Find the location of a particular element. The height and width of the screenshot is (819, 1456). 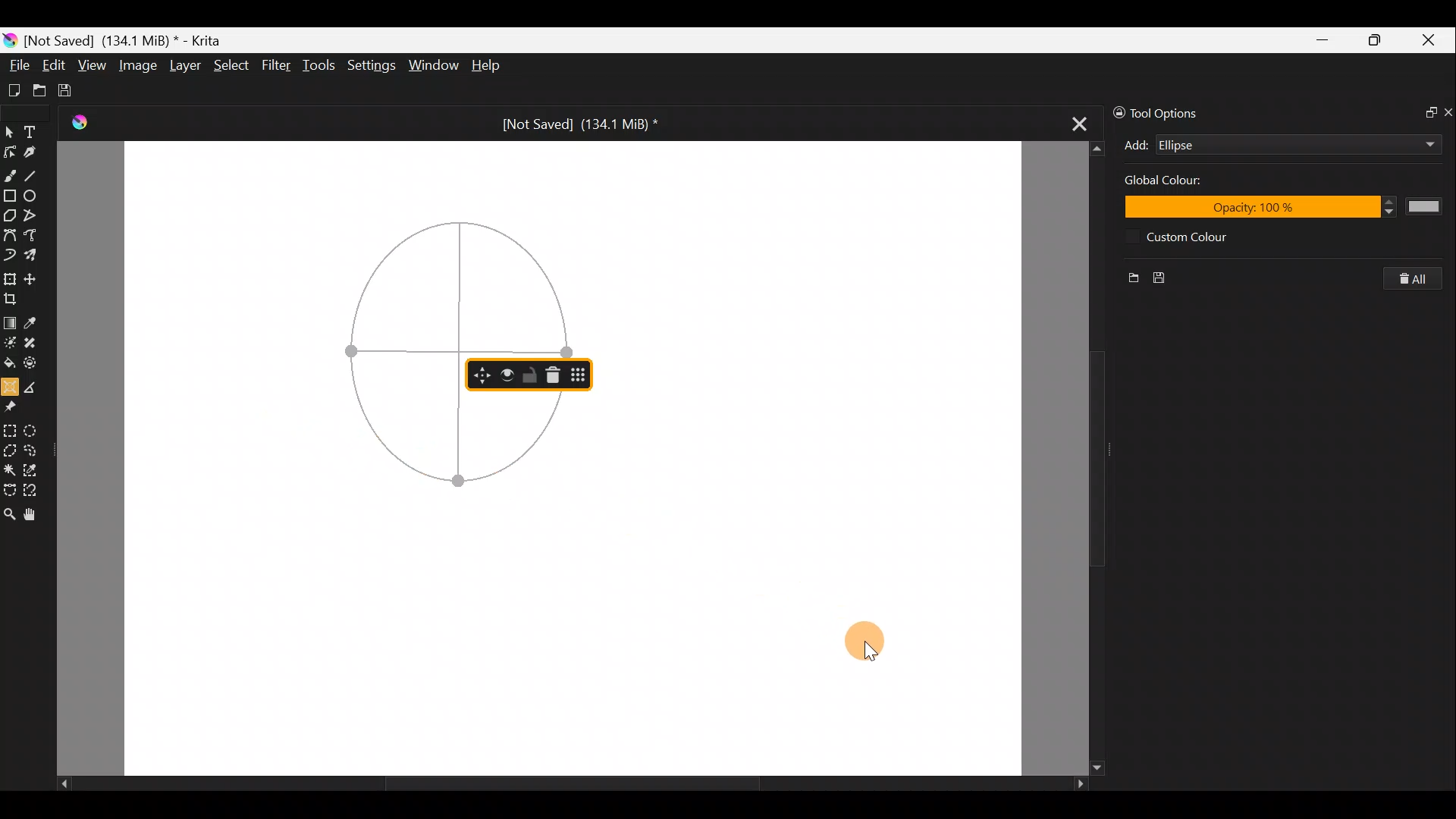

Cursor on canvas is located at coordinates (864, 642).